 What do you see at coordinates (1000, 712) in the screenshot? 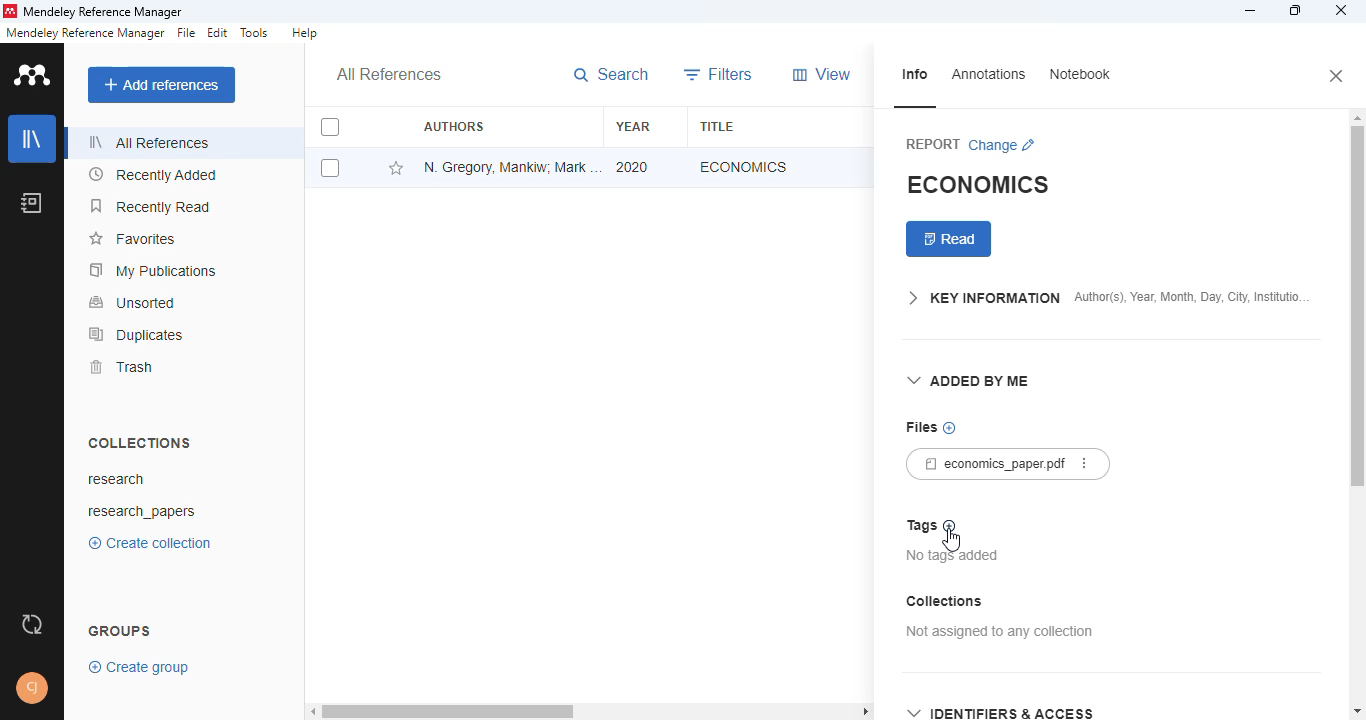
I see `identifiers & access` at bounding box center [1000, 712].